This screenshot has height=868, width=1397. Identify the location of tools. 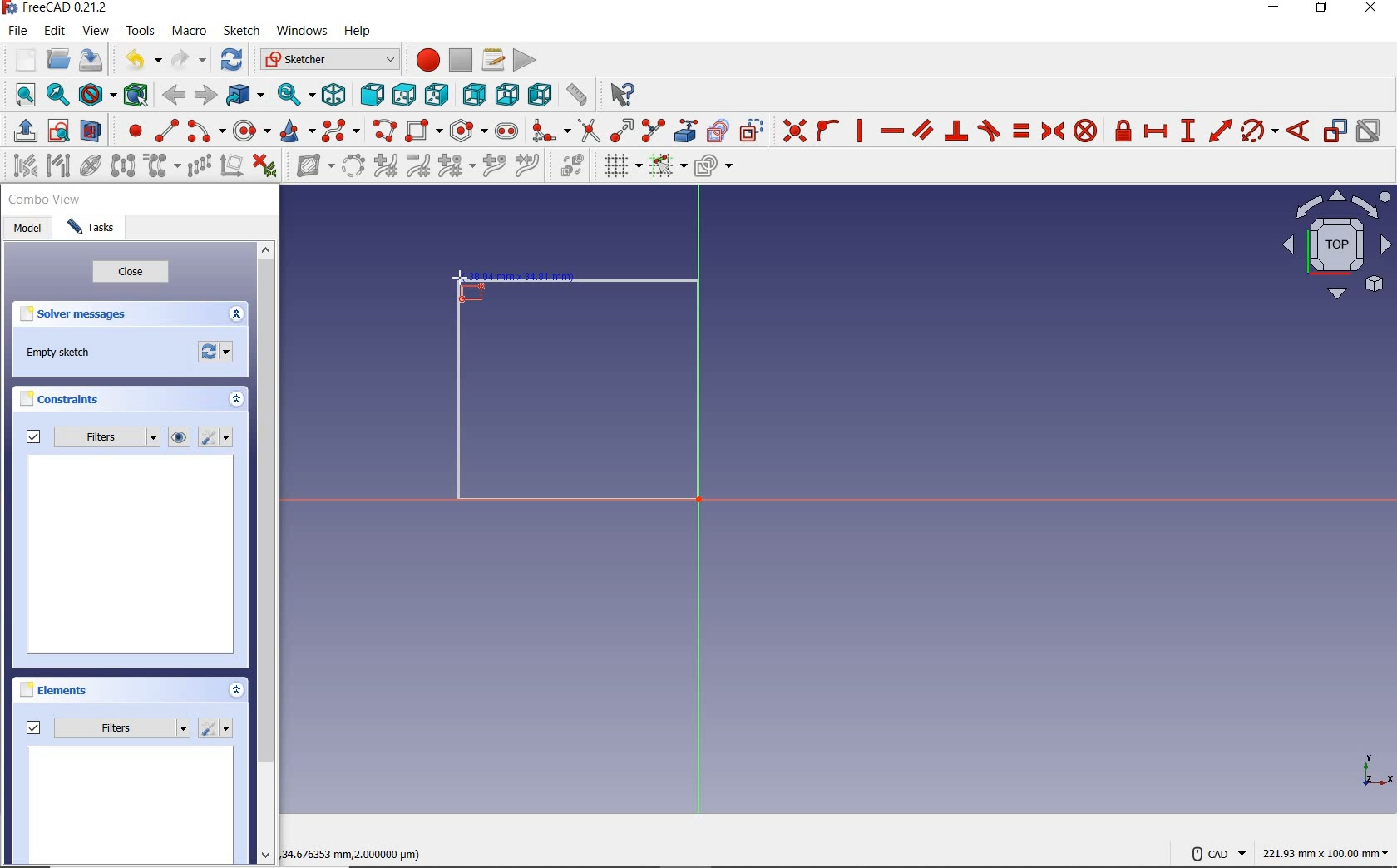
(140, 32).